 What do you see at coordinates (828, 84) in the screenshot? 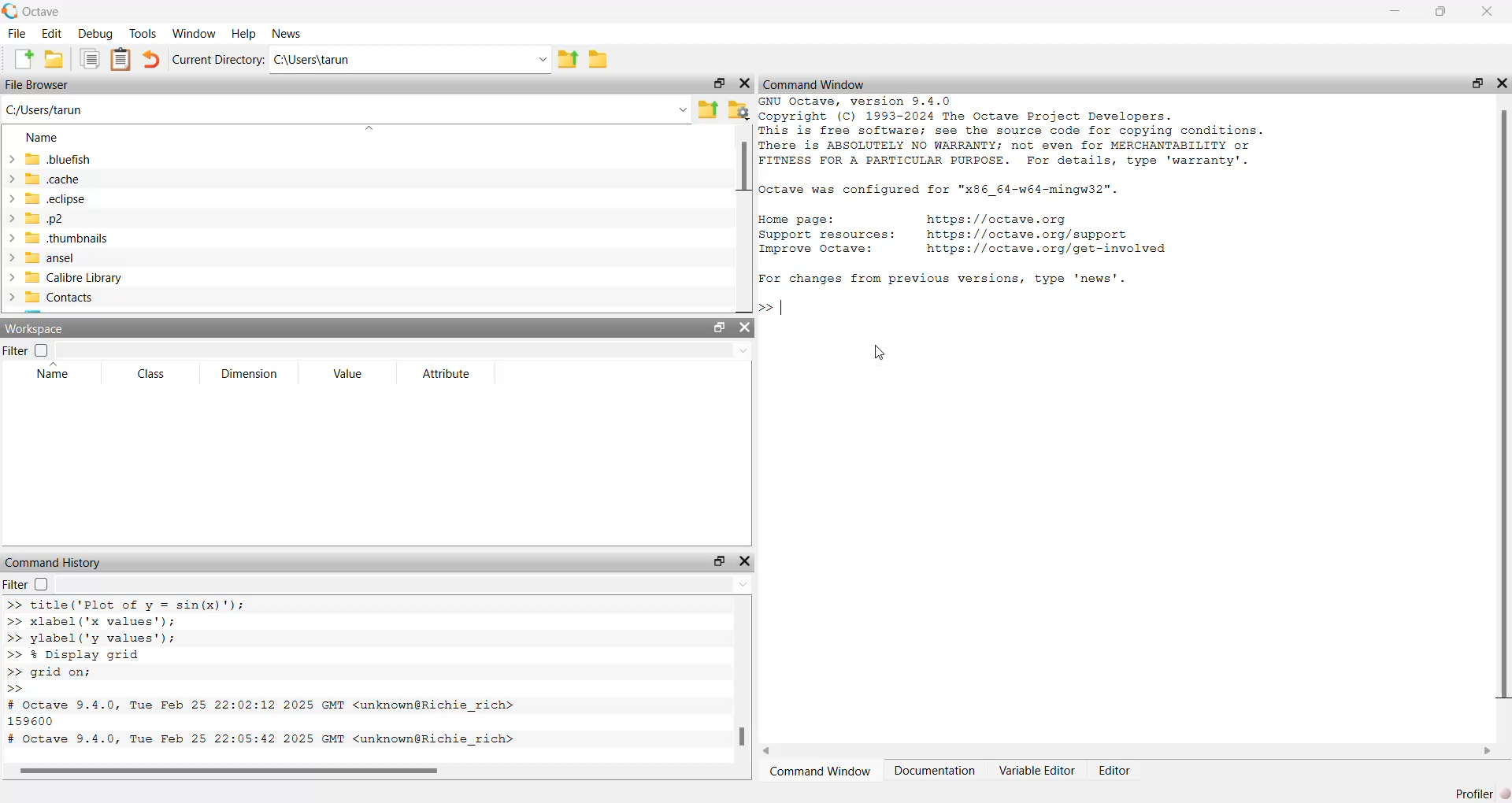
I see `Command Window` at bounding box center [828, 84].